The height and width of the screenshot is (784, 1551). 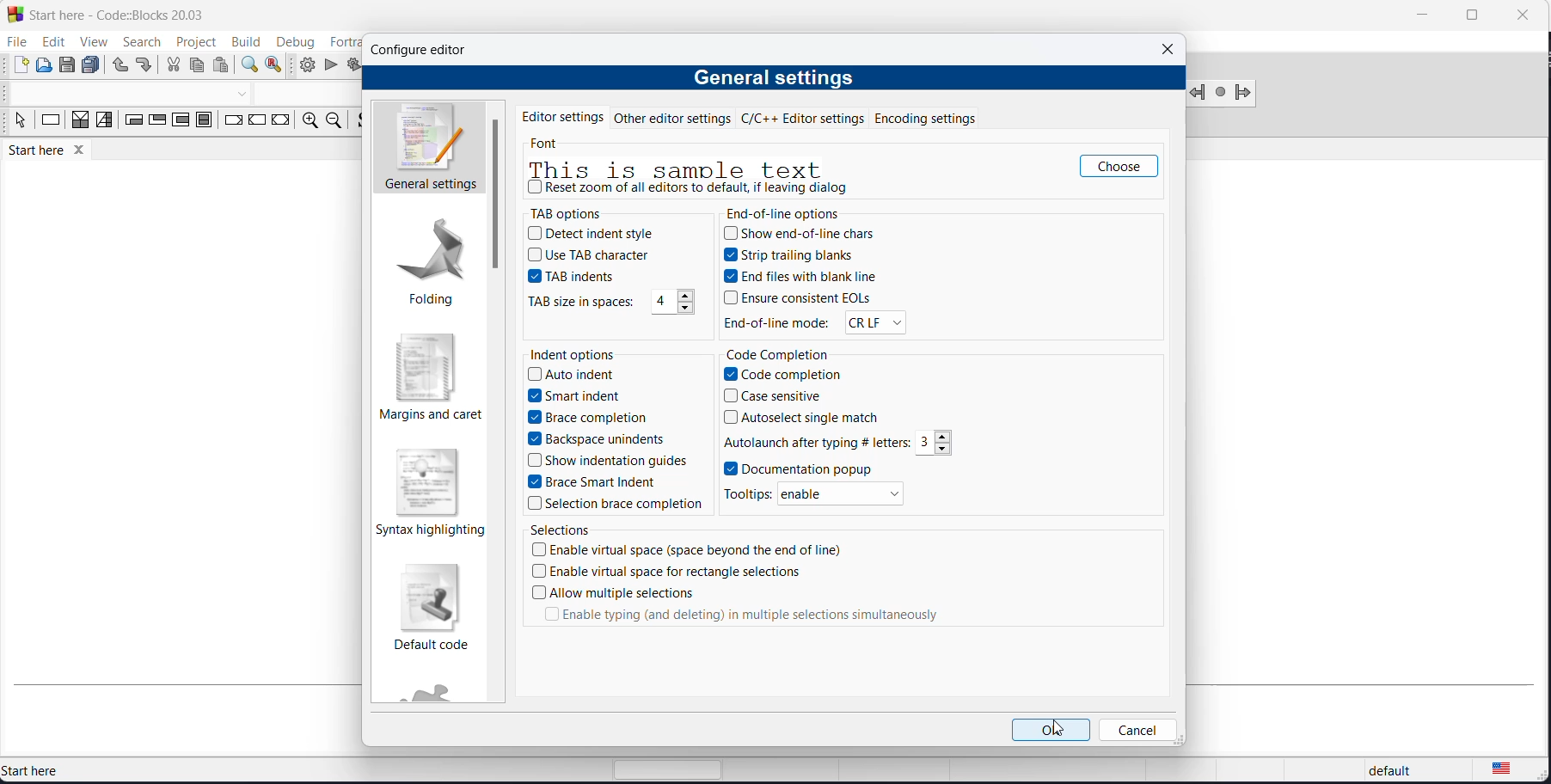 What do you see at coordinates (45, 66) in the screenshot?
I see `open` at bounding box center [45, 66].